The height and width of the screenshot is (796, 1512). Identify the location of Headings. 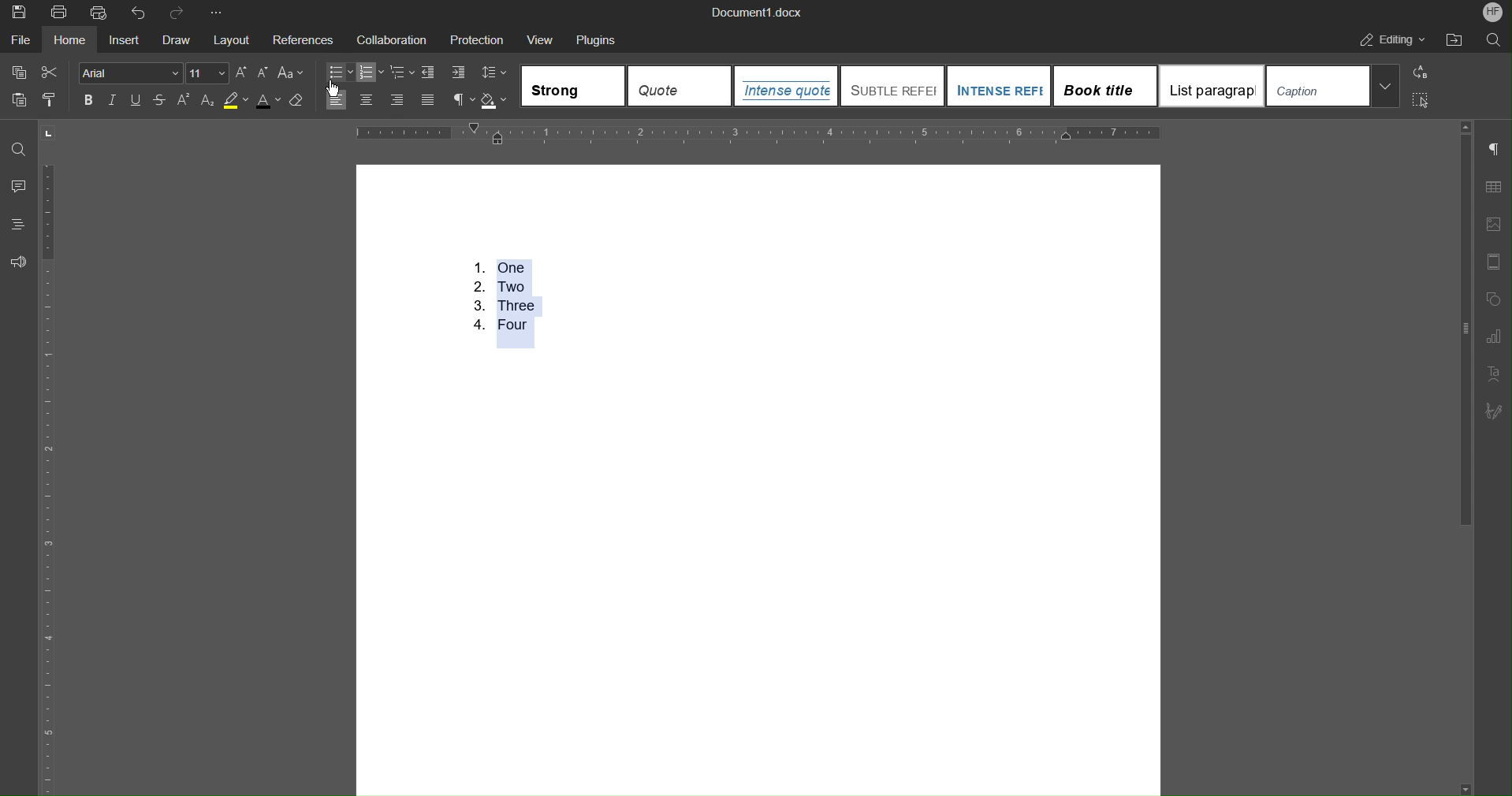
(17, 225).